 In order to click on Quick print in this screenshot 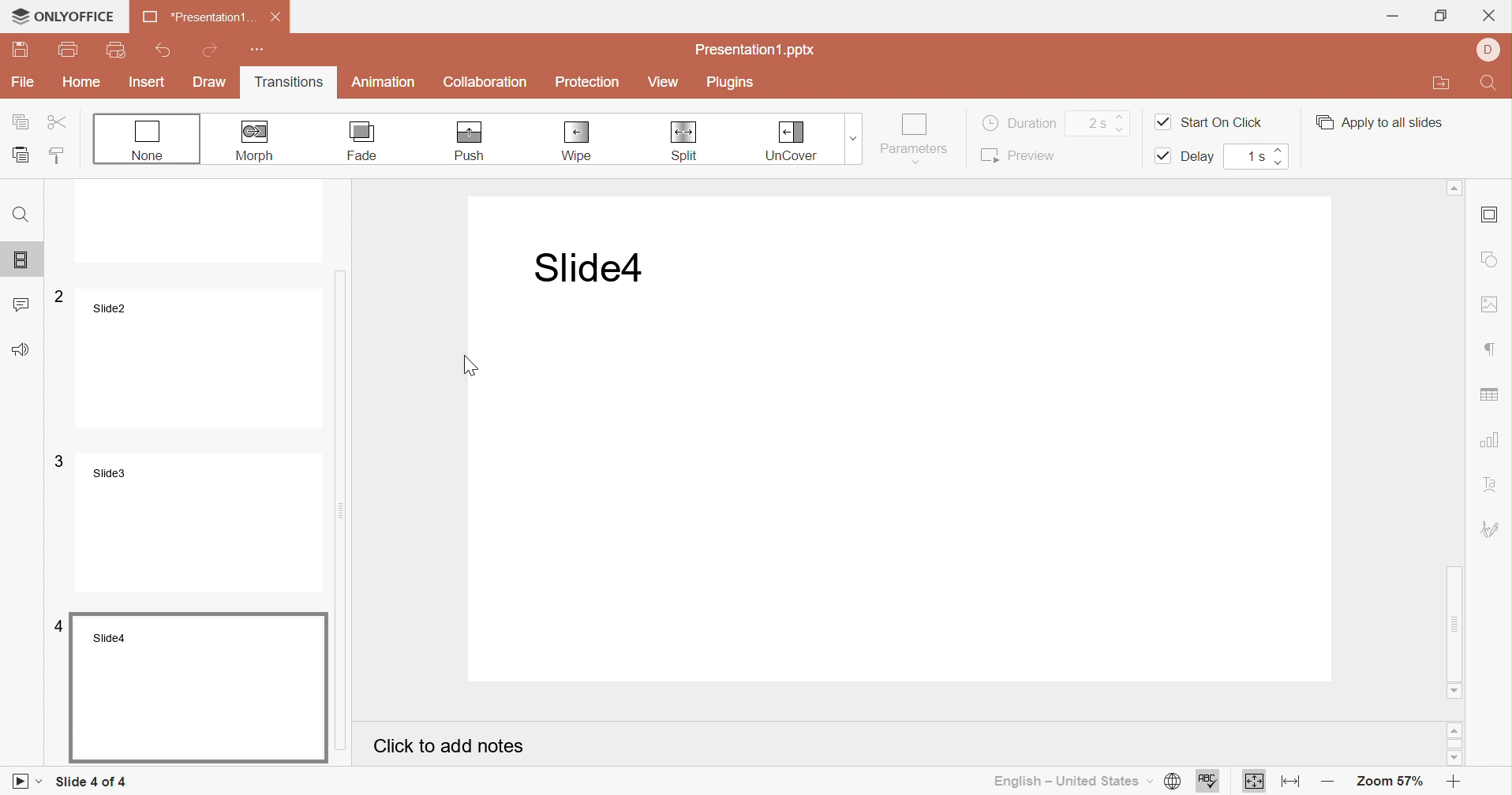, I will do `click(116, 50)`.